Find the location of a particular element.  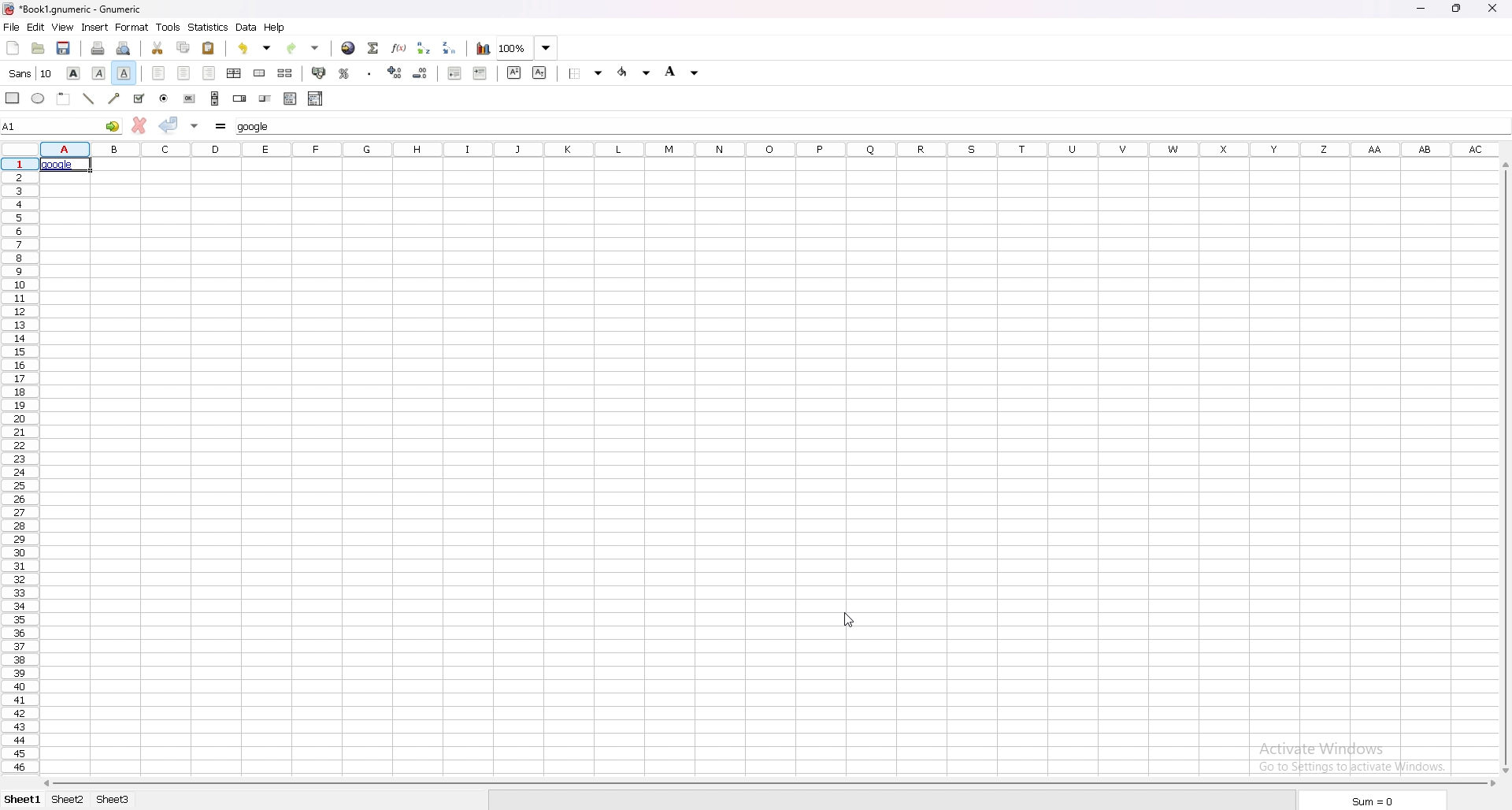

cut is located at coordinates (157, 48).